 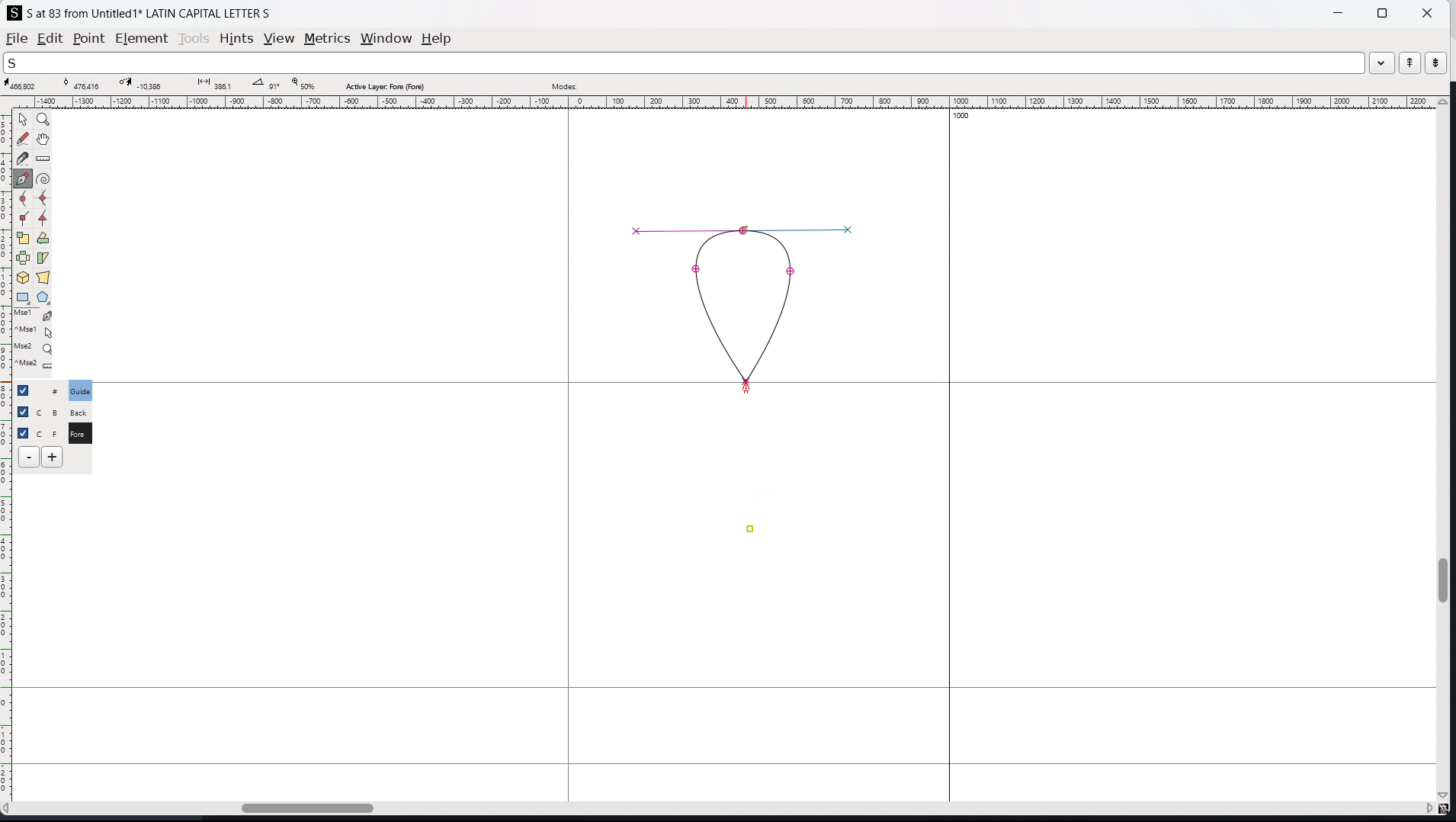 What do you see at coordinates (384, 86) in the screenshot?
I see `active layer` at bounding box center [384, 86].